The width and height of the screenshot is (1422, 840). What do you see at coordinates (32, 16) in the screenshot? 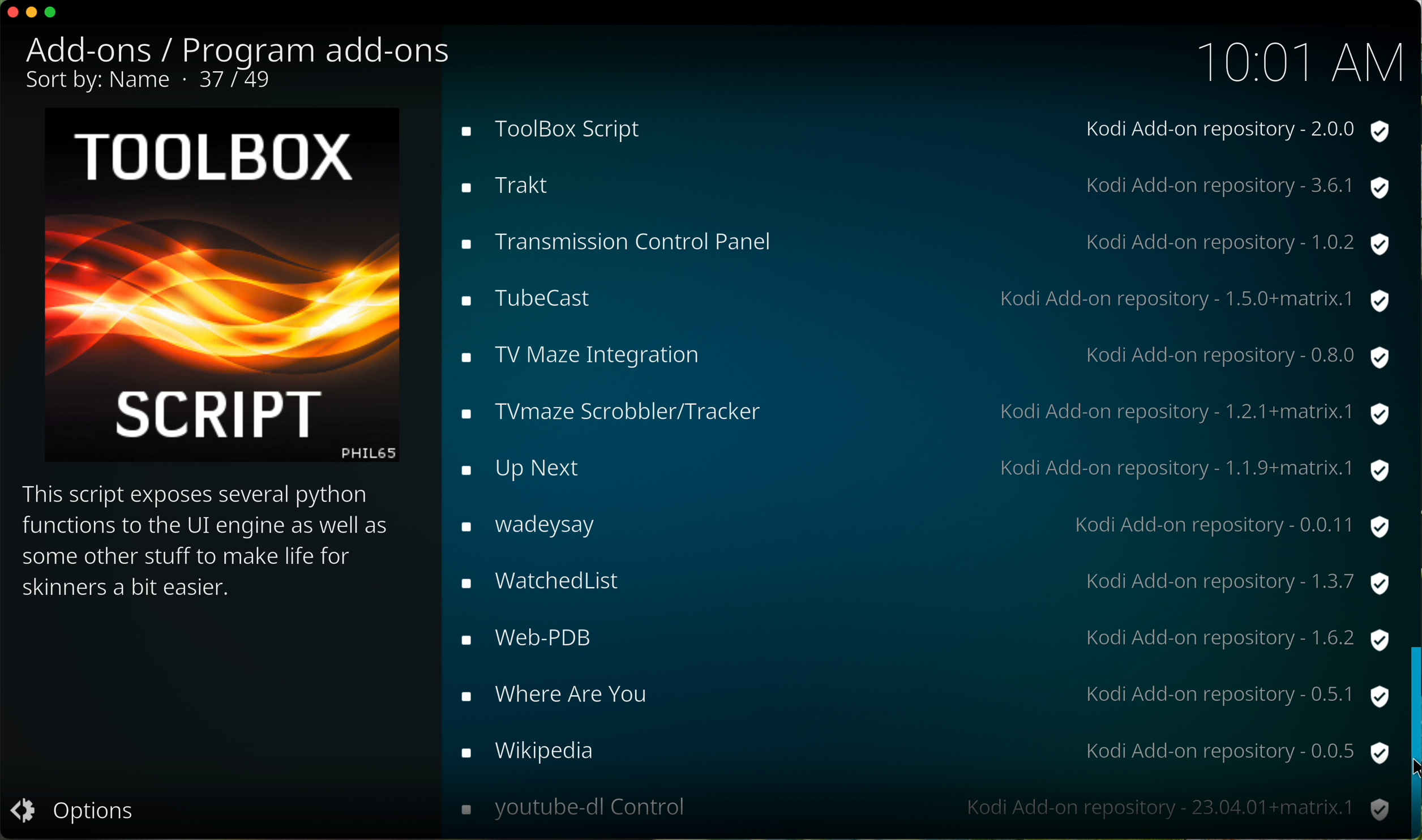
I see `minimize` at bounding box center [32, 16].